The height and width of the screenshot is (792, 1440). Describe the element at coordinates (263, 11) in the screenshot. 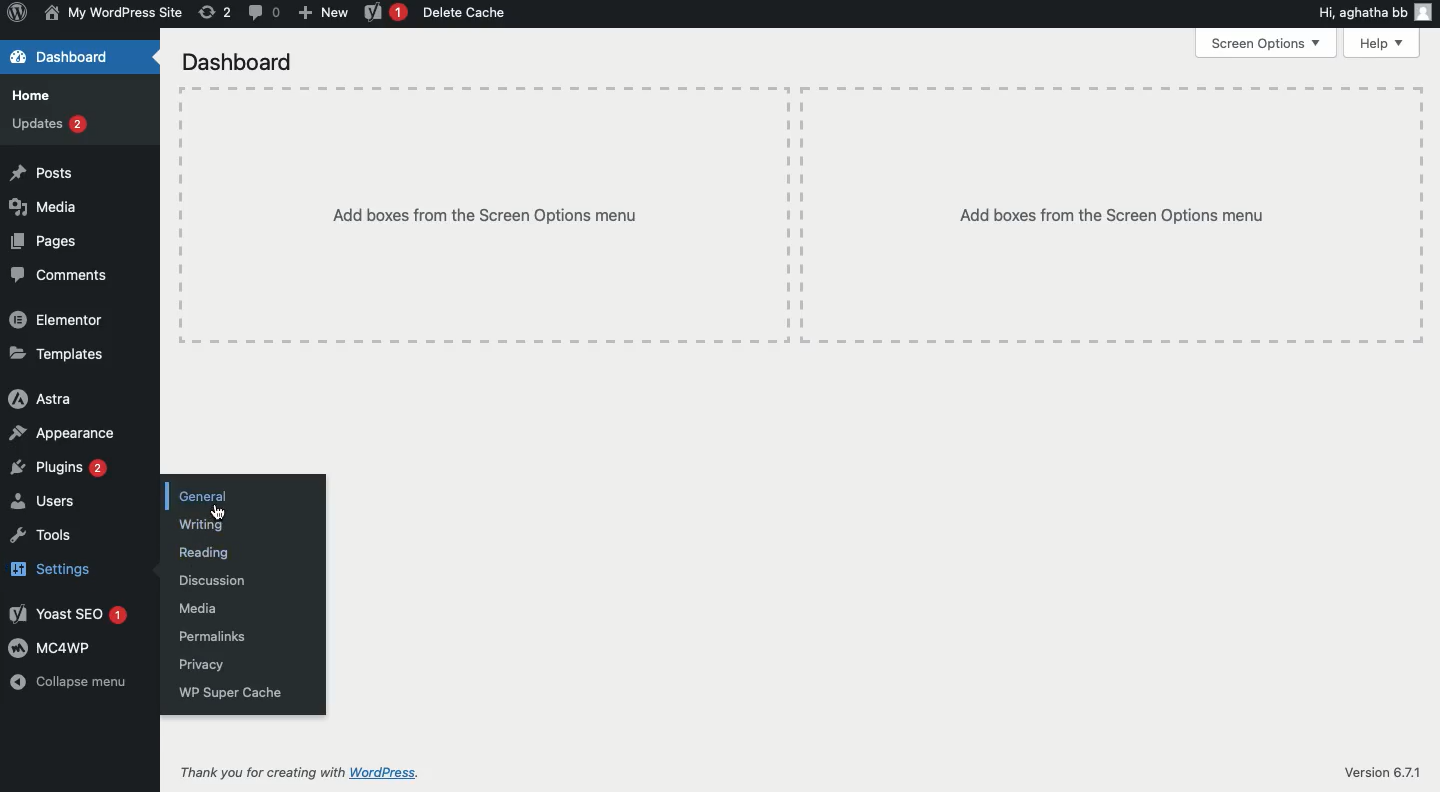

I see `Comment (0)` at that location.